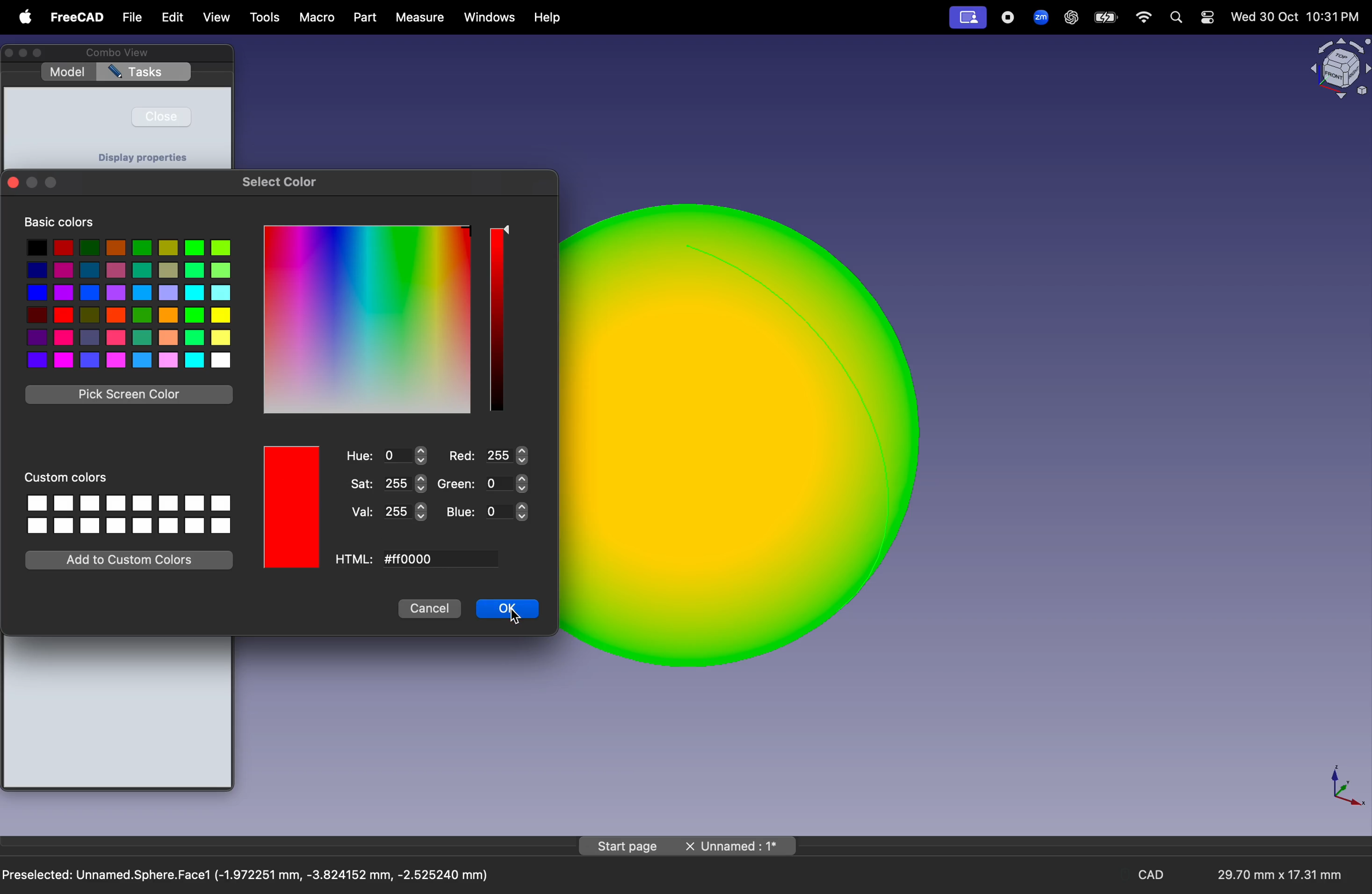 The image size is (1372, 894). I want to click on custom colors selection, so click(127, 512).